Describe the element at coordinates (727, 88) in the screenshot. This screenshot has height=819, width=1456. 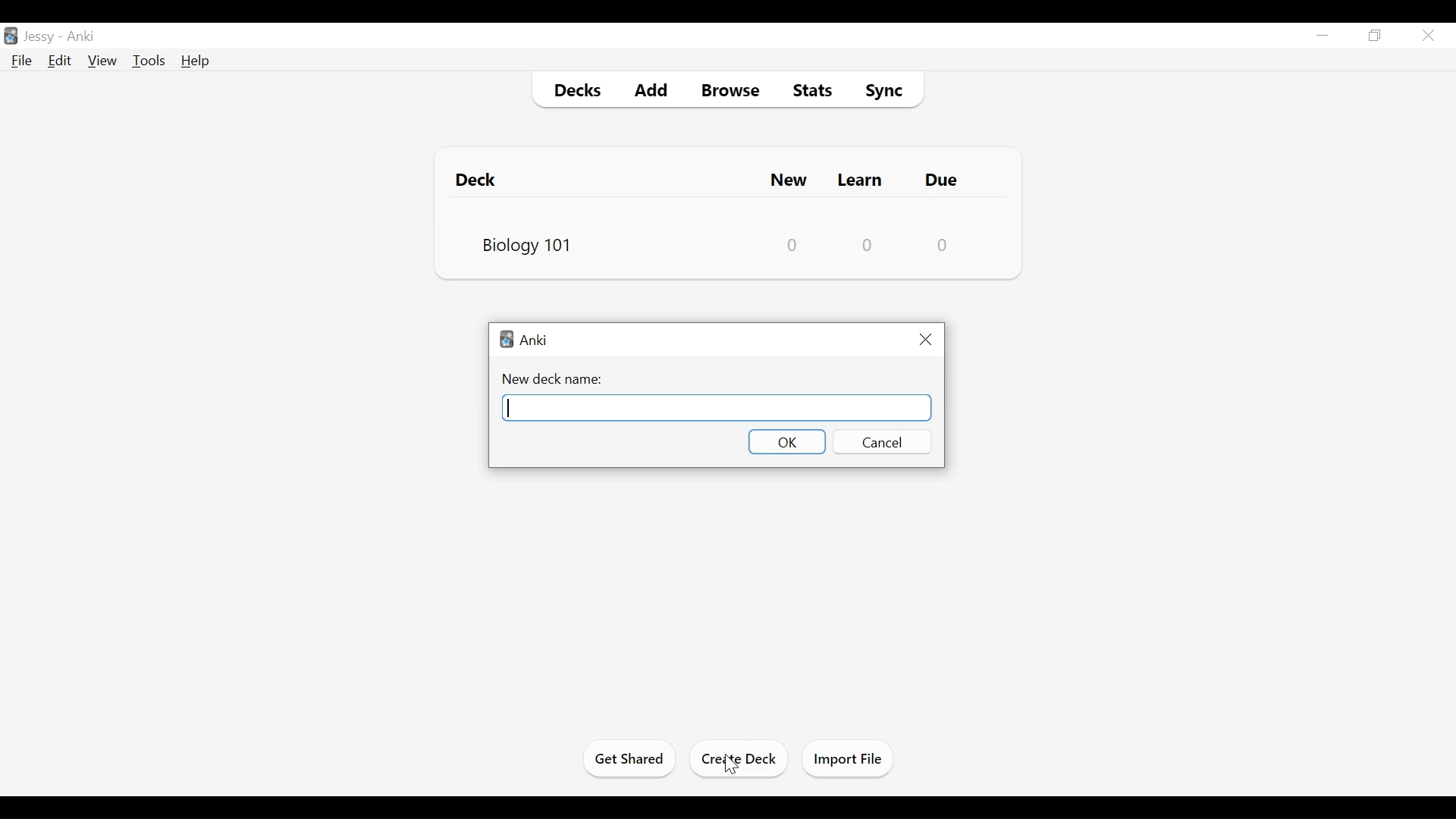
I see `Browse` at that location.